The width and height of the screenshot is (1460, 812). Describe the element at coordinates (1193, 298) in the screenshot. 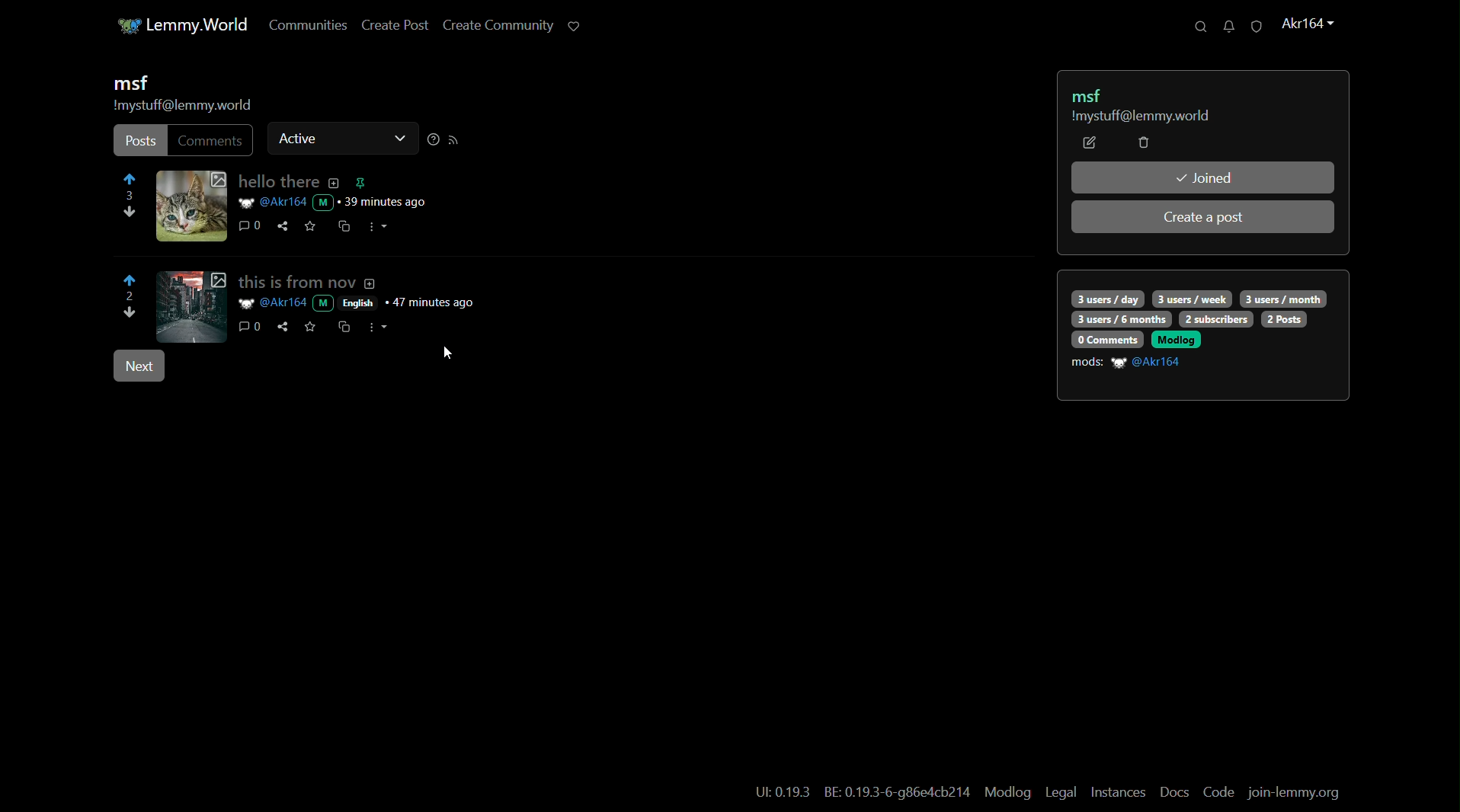

I see `3 users per week` at that location.